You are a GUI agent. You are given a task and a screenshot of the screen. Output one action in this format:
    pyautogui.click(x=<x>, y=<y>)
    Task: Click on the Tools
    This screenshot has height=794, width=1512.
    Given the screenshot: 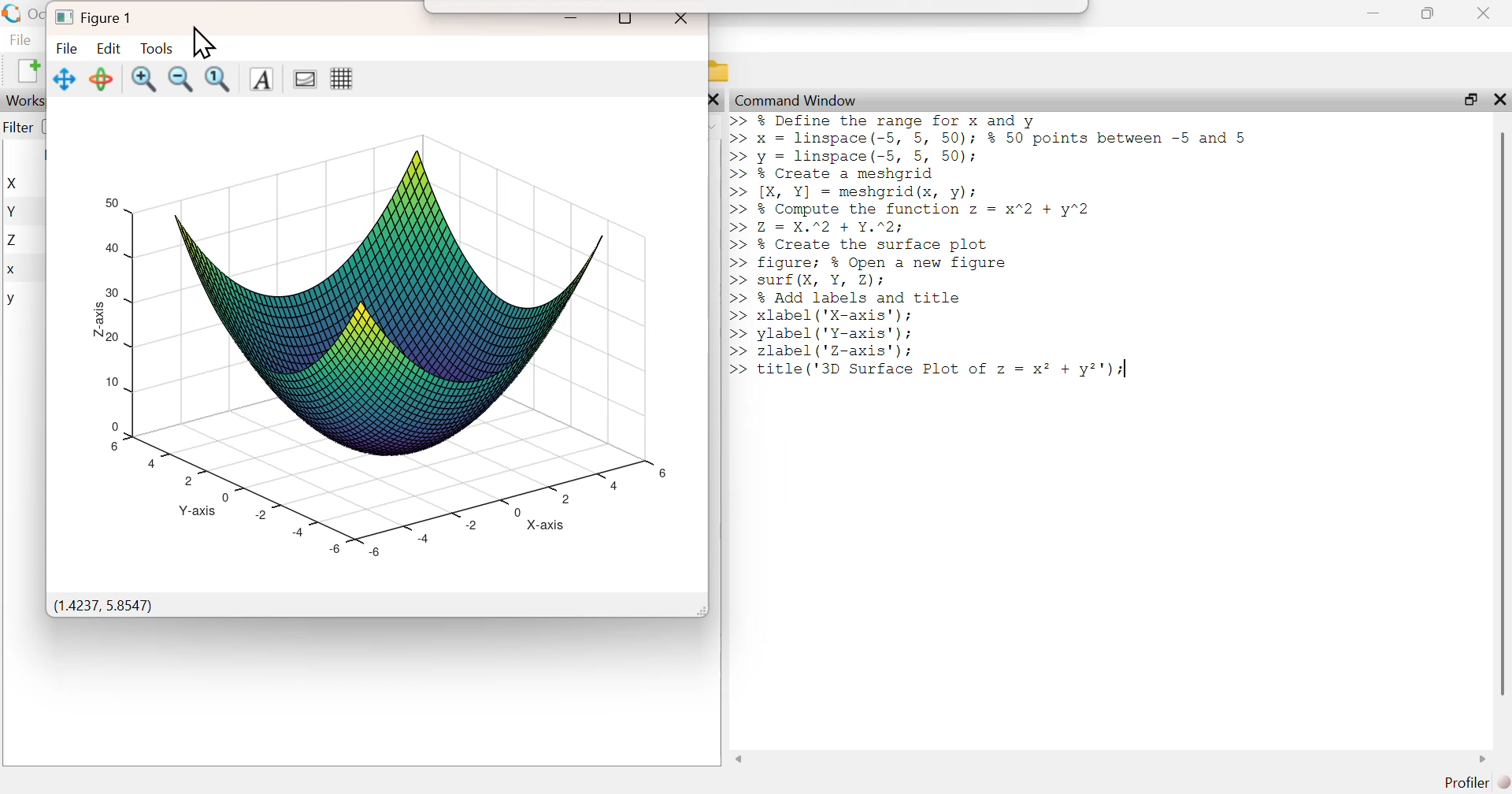 What is the action you would take?
    pyautogui.click(x=159, y=48)
    